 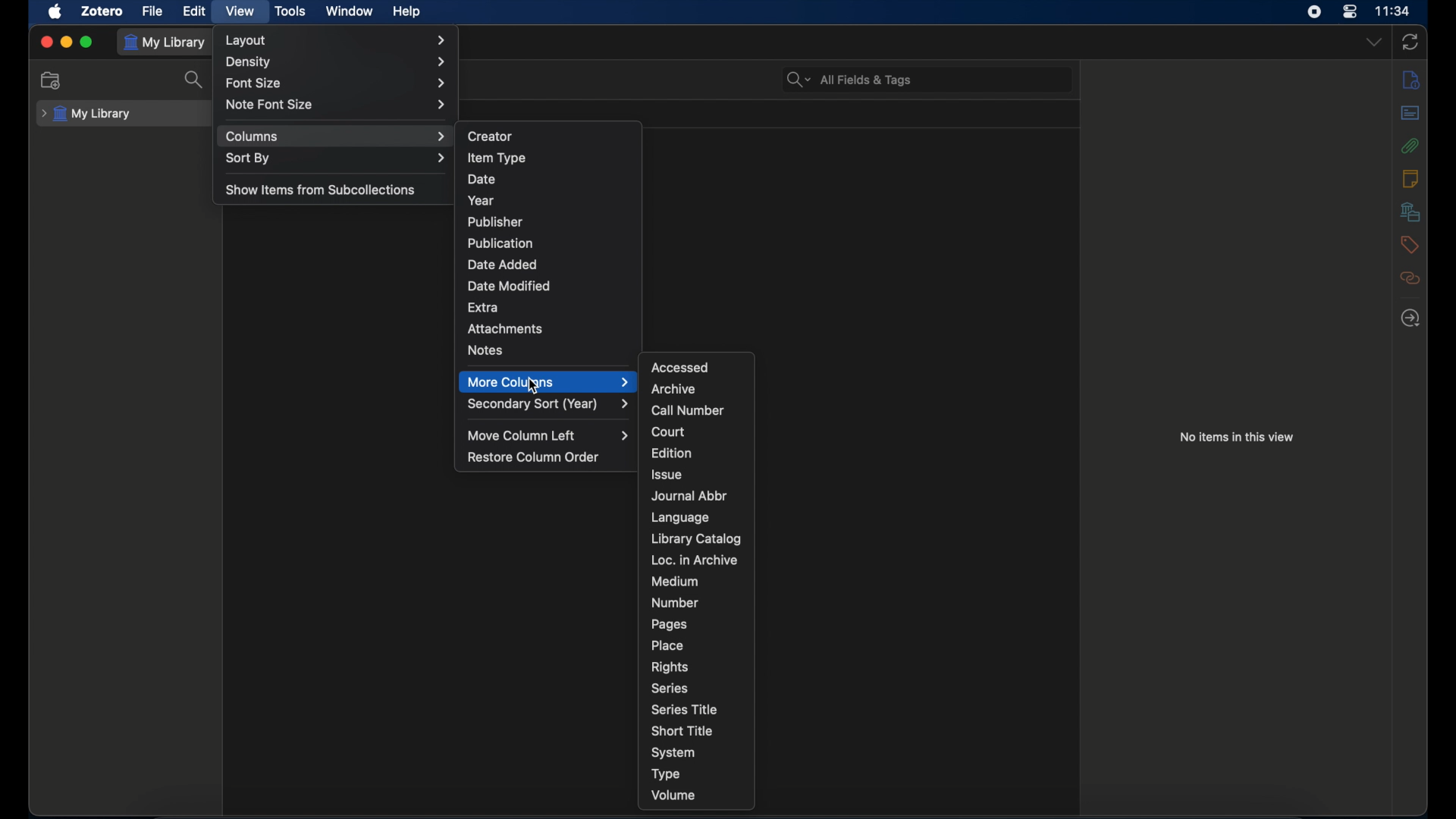 What do you see at coordinates (673, 581) in the screenshot?
I see `medium` at bounding box center [673, 581].